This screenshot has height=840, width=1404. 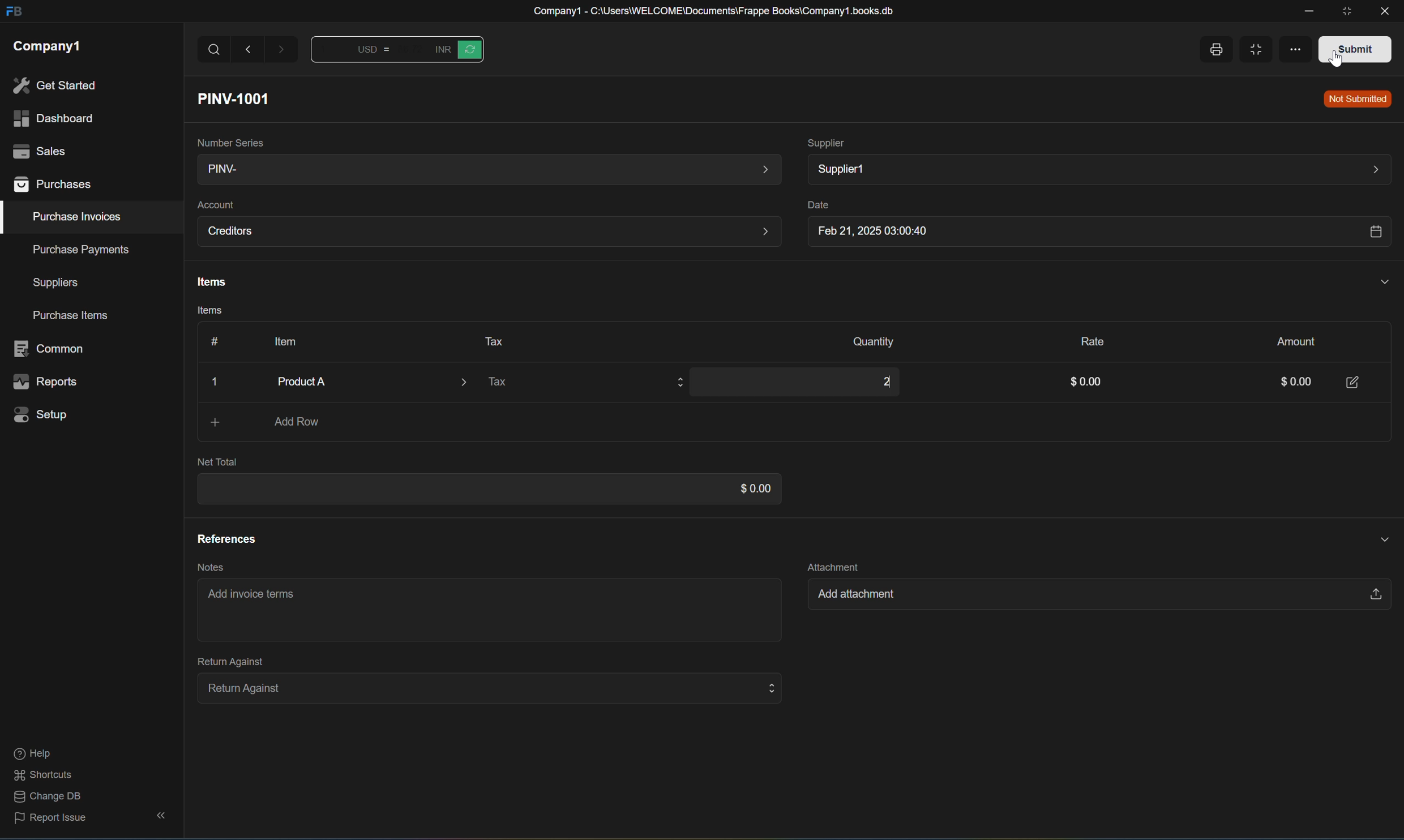 I want to click on $0.00, so click(x=749, y=488).